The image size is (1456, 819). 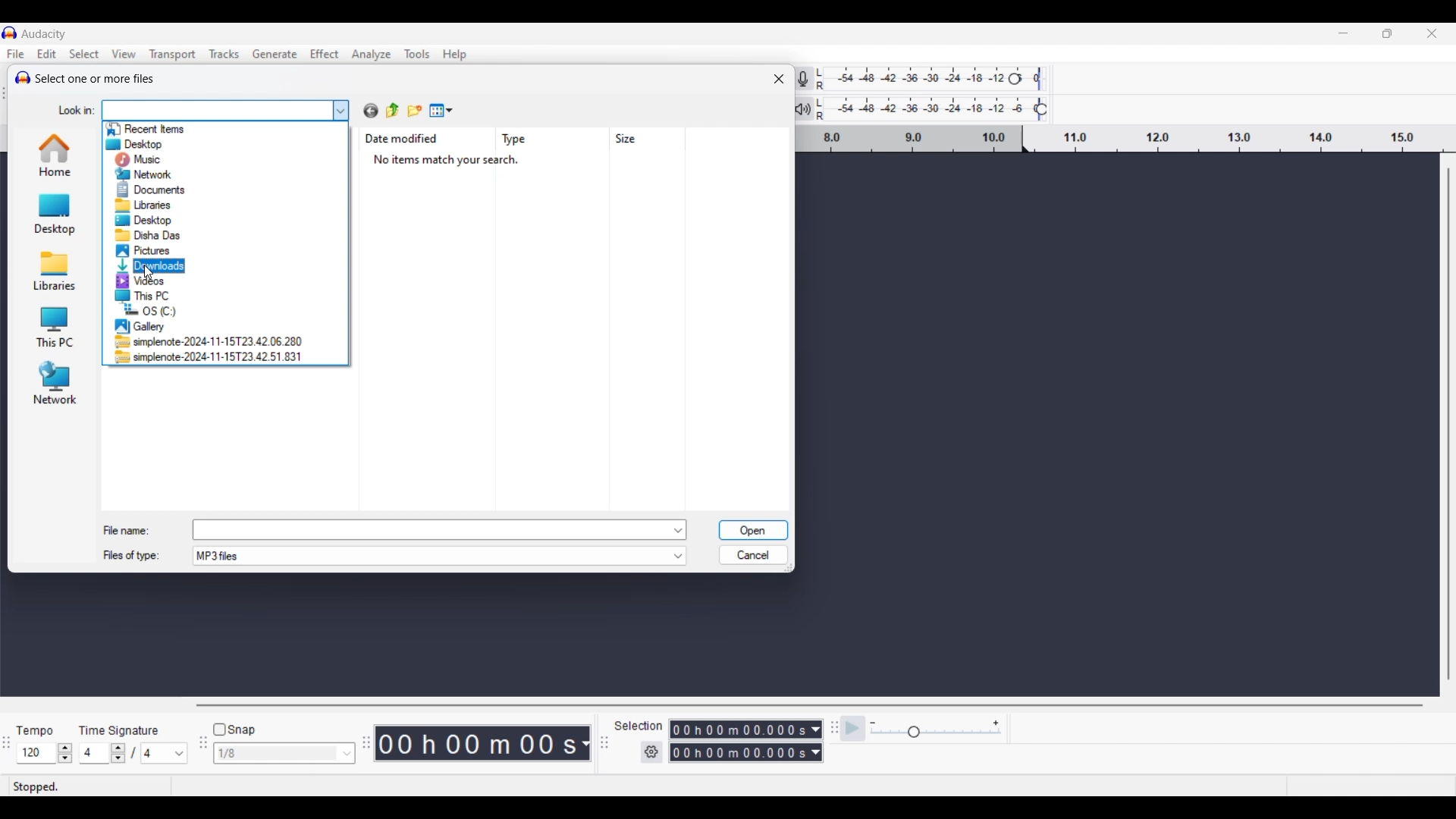 What do you see at coordinates (16, 54) in the screenshot?
I see `File menu` at bounding box center [16, 54].